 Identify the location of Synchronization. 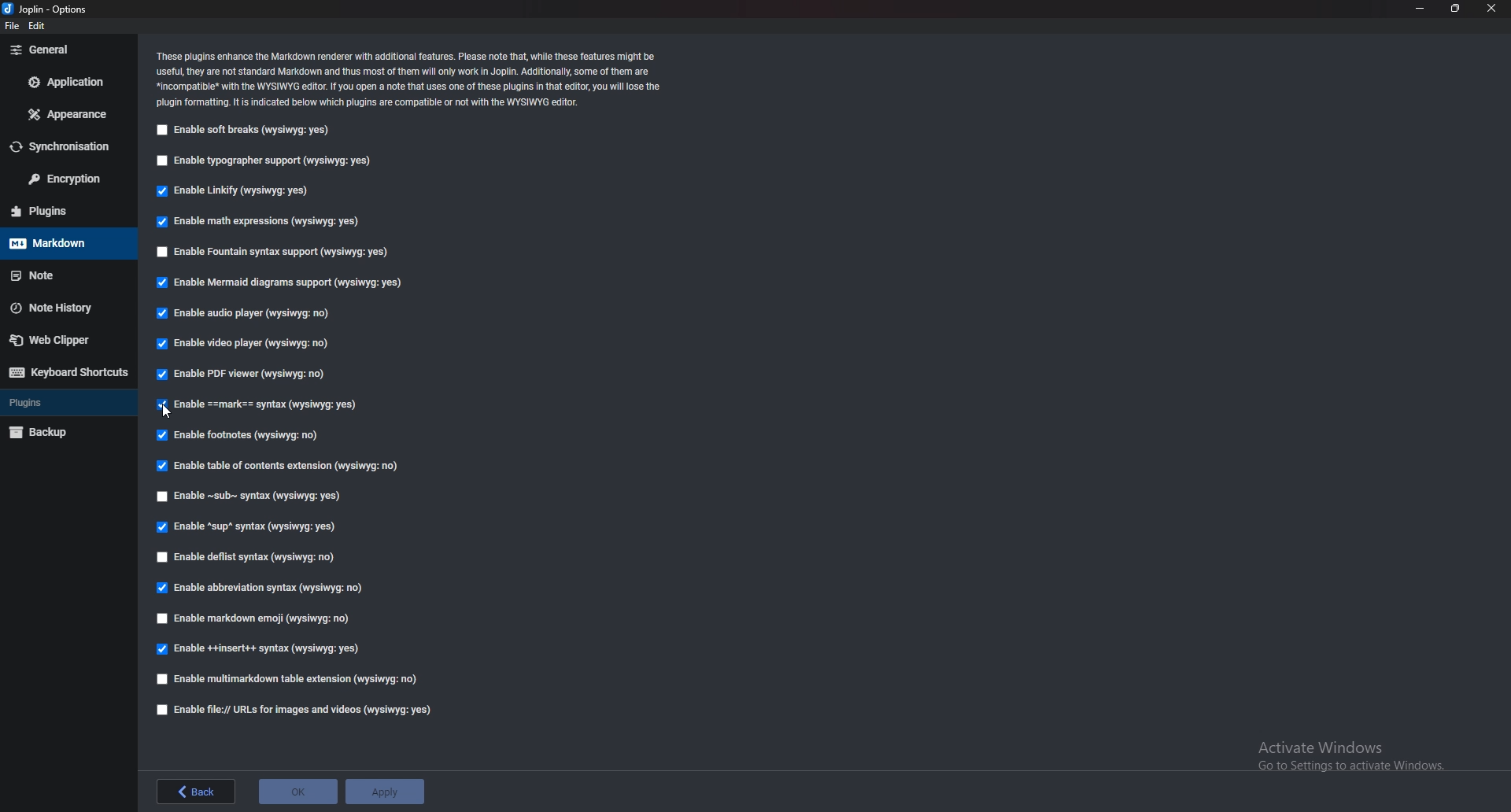
(69, 144).